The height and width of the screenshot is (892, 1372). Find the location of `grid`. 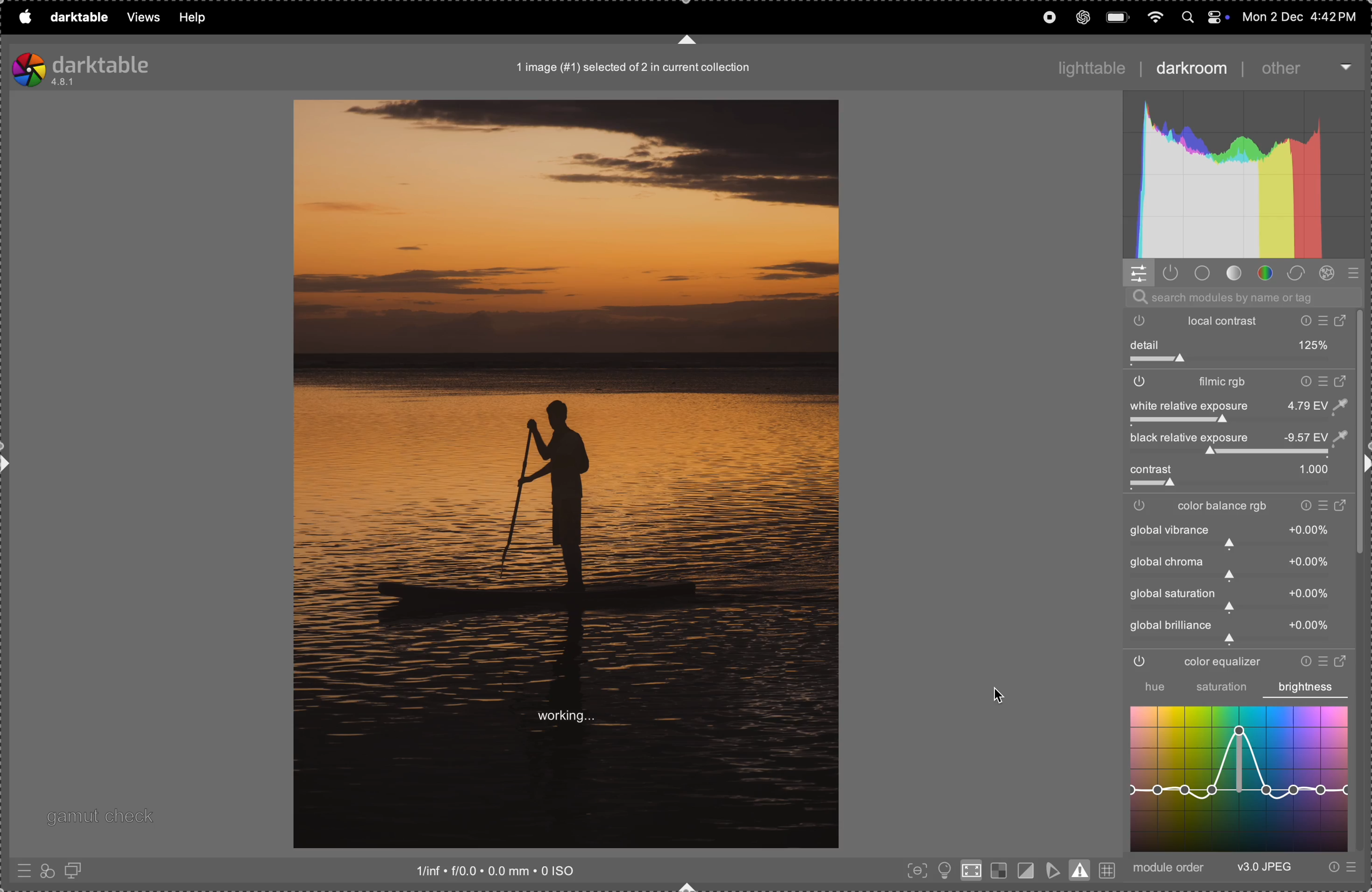

grid is located at coordinates (1108, 868).